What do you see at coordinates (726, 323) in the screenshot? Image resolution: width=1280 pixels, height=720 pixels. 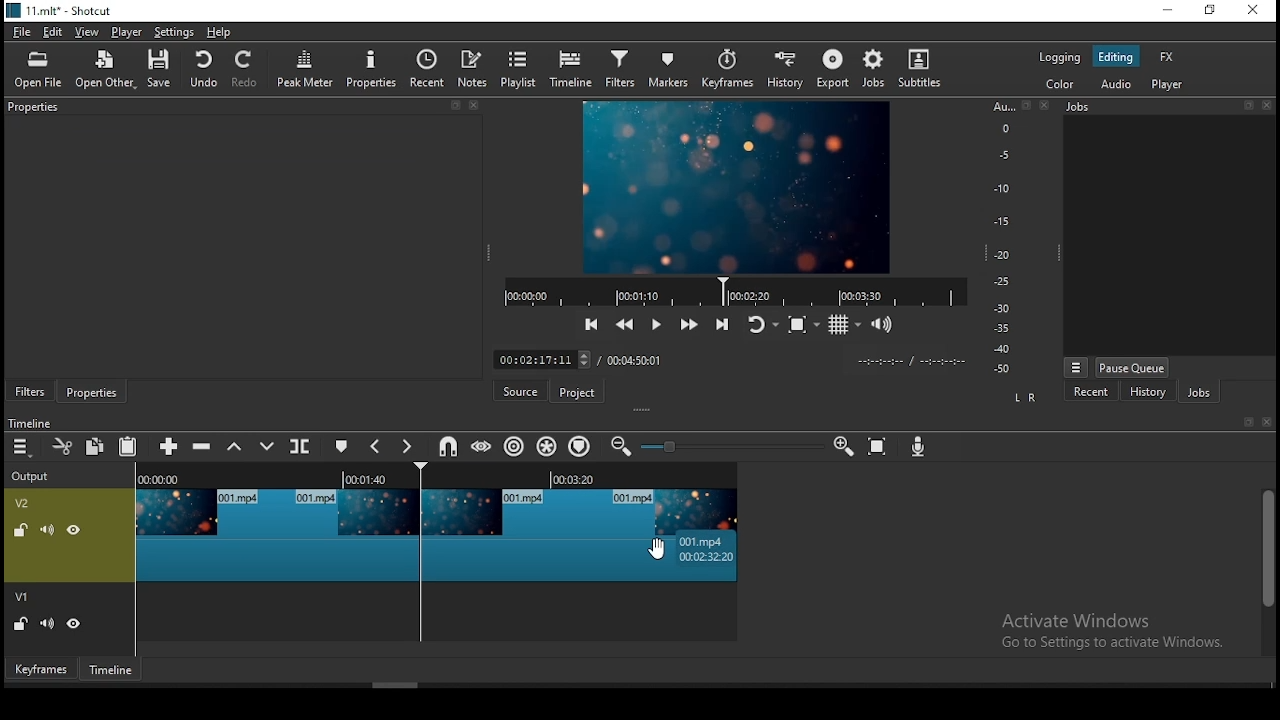 I see `skip to the next point` at bounding box center [726, 323].